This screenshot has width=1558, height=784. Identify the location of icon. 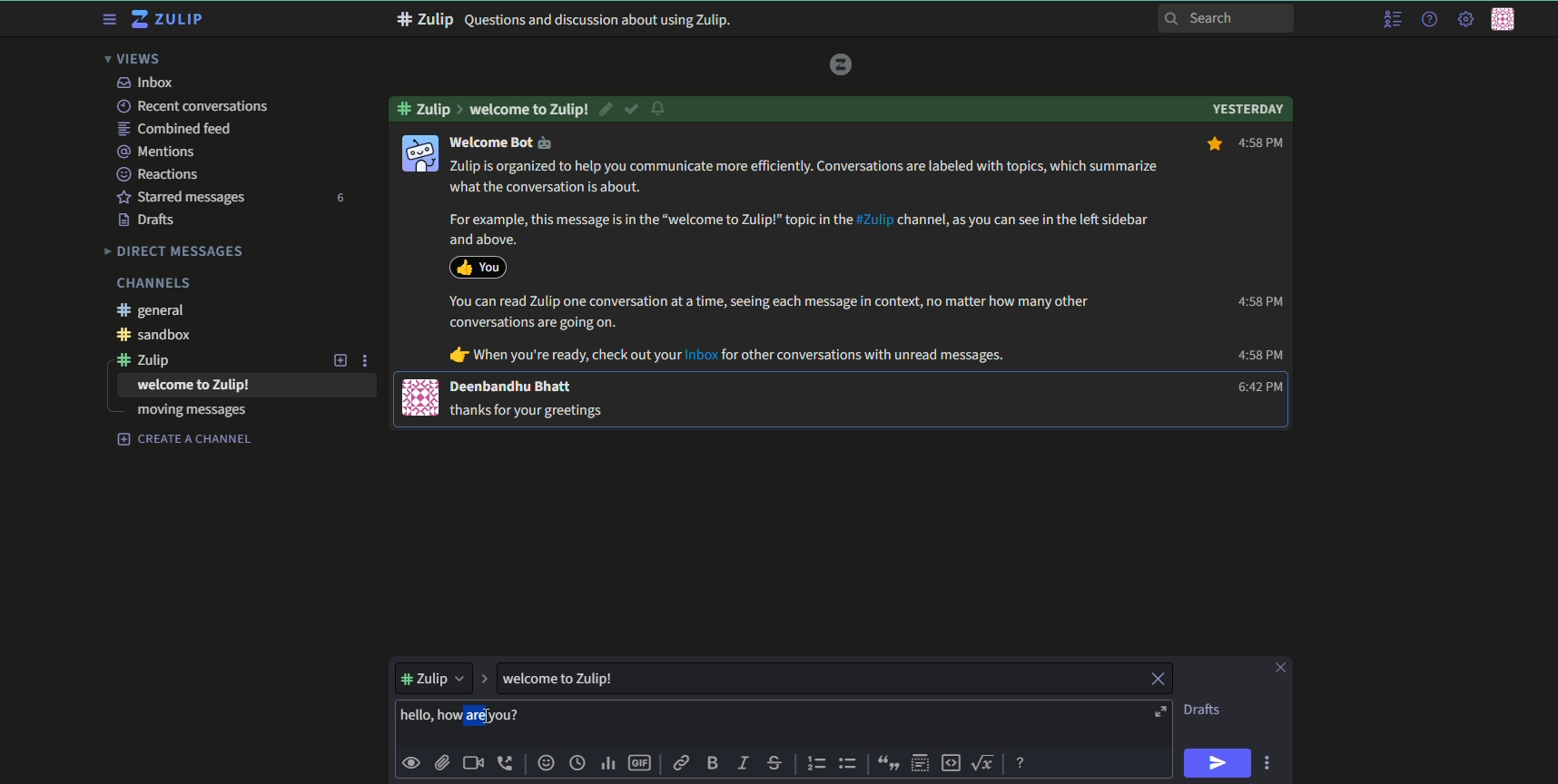
(478, 266).